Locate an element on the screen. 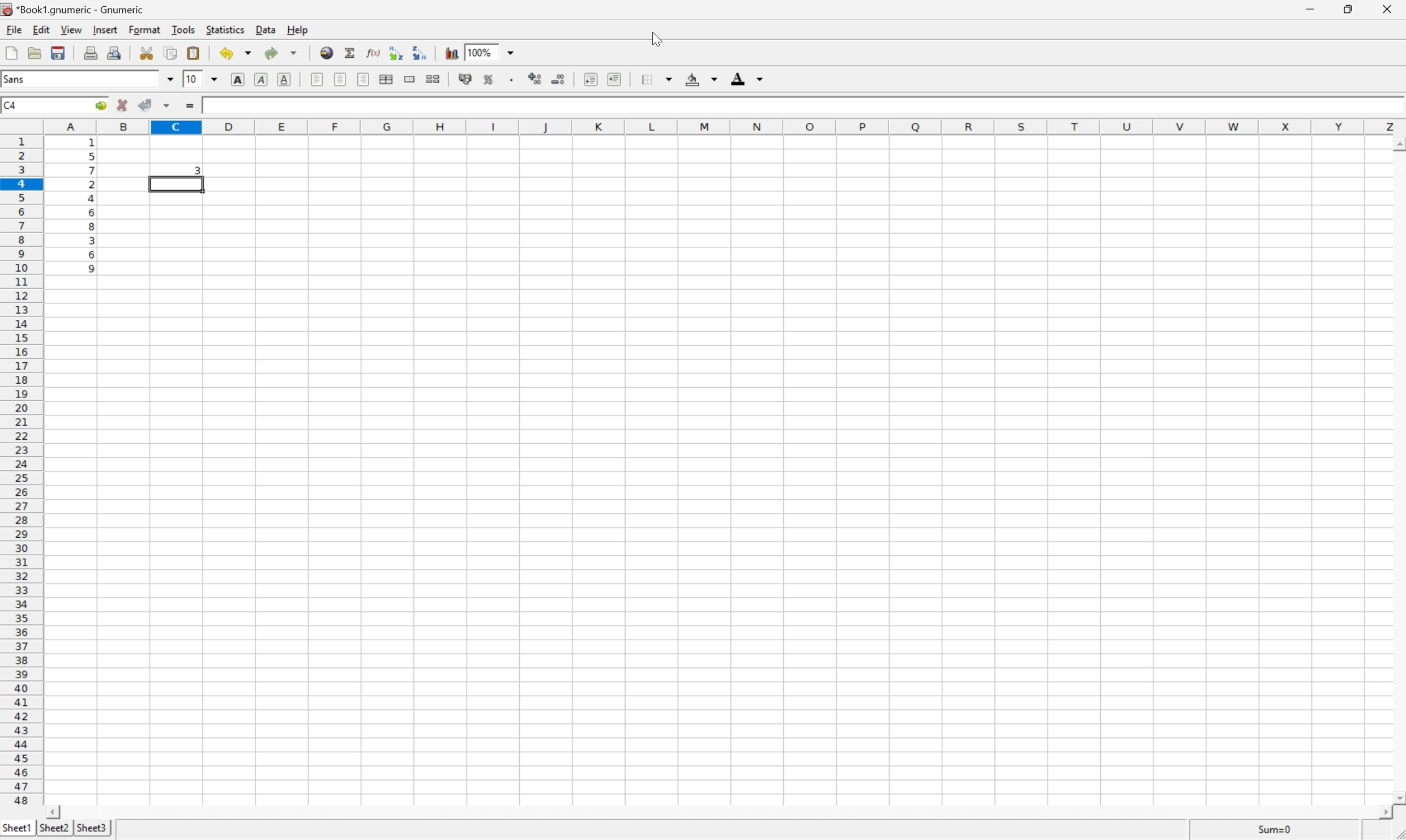  chart is located at coordinates (448, 52).